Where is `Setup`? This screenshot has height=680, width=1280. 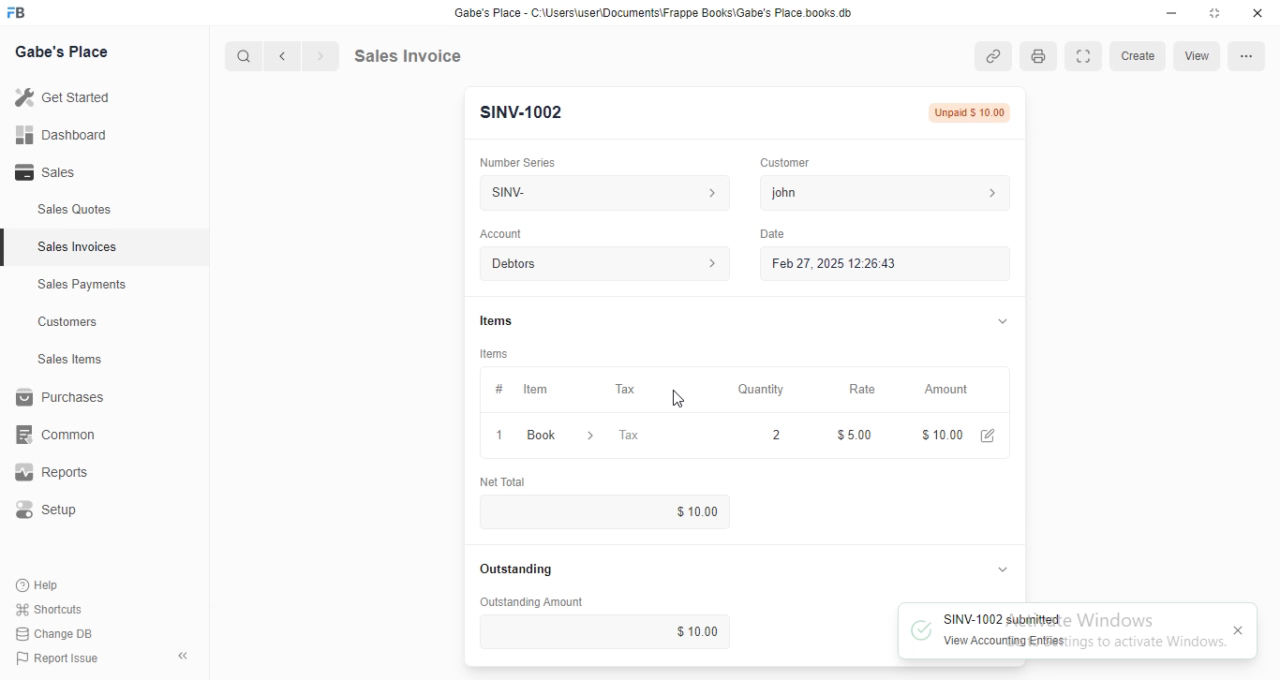
Setup is located at coordinates (48, 507).